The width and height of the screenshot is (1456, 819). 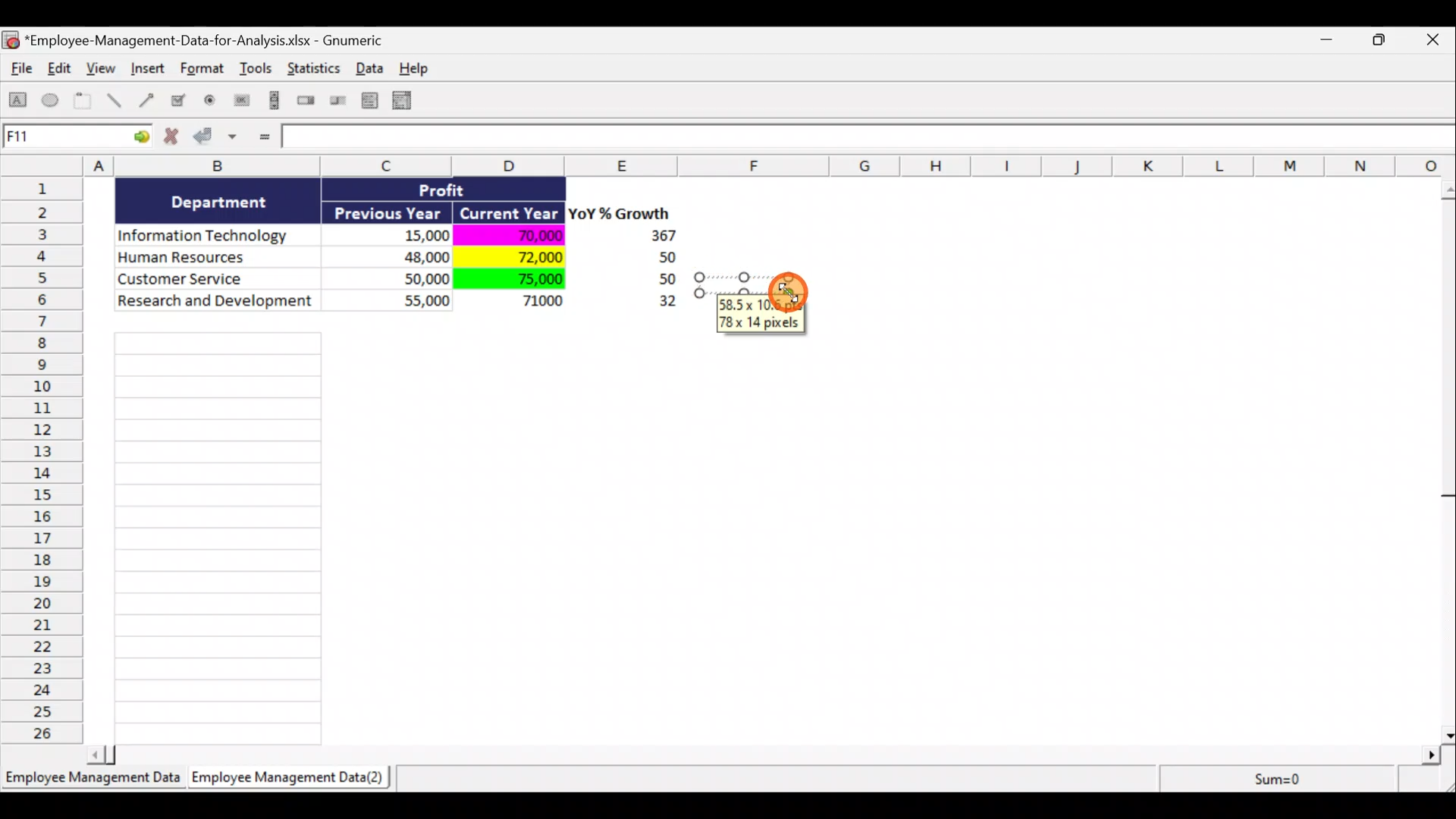 I want to click on Rows, so click(x=46, y=459).